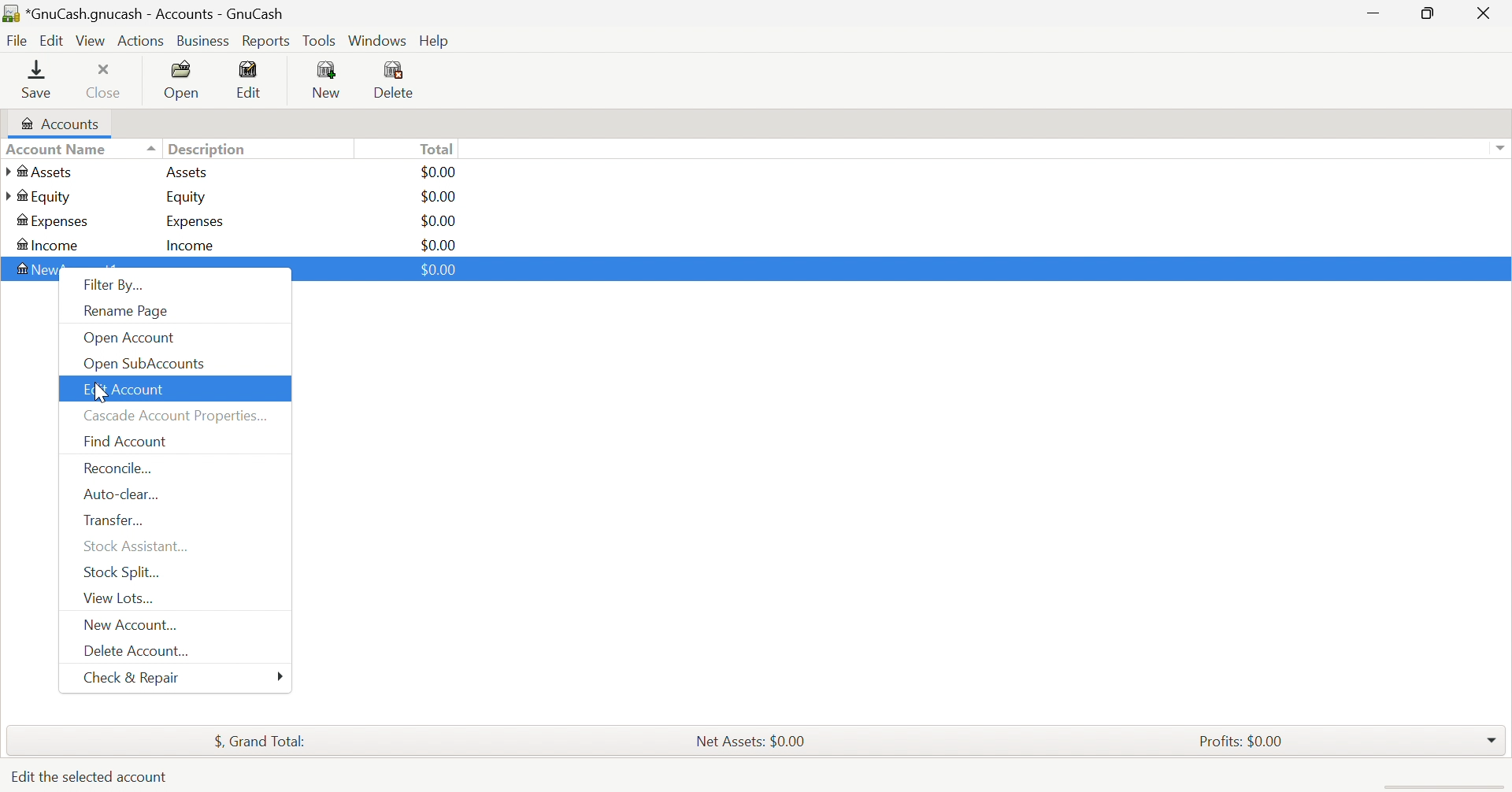 The image size is (1512, 792). I want to click on Edit, so click(51, 39).